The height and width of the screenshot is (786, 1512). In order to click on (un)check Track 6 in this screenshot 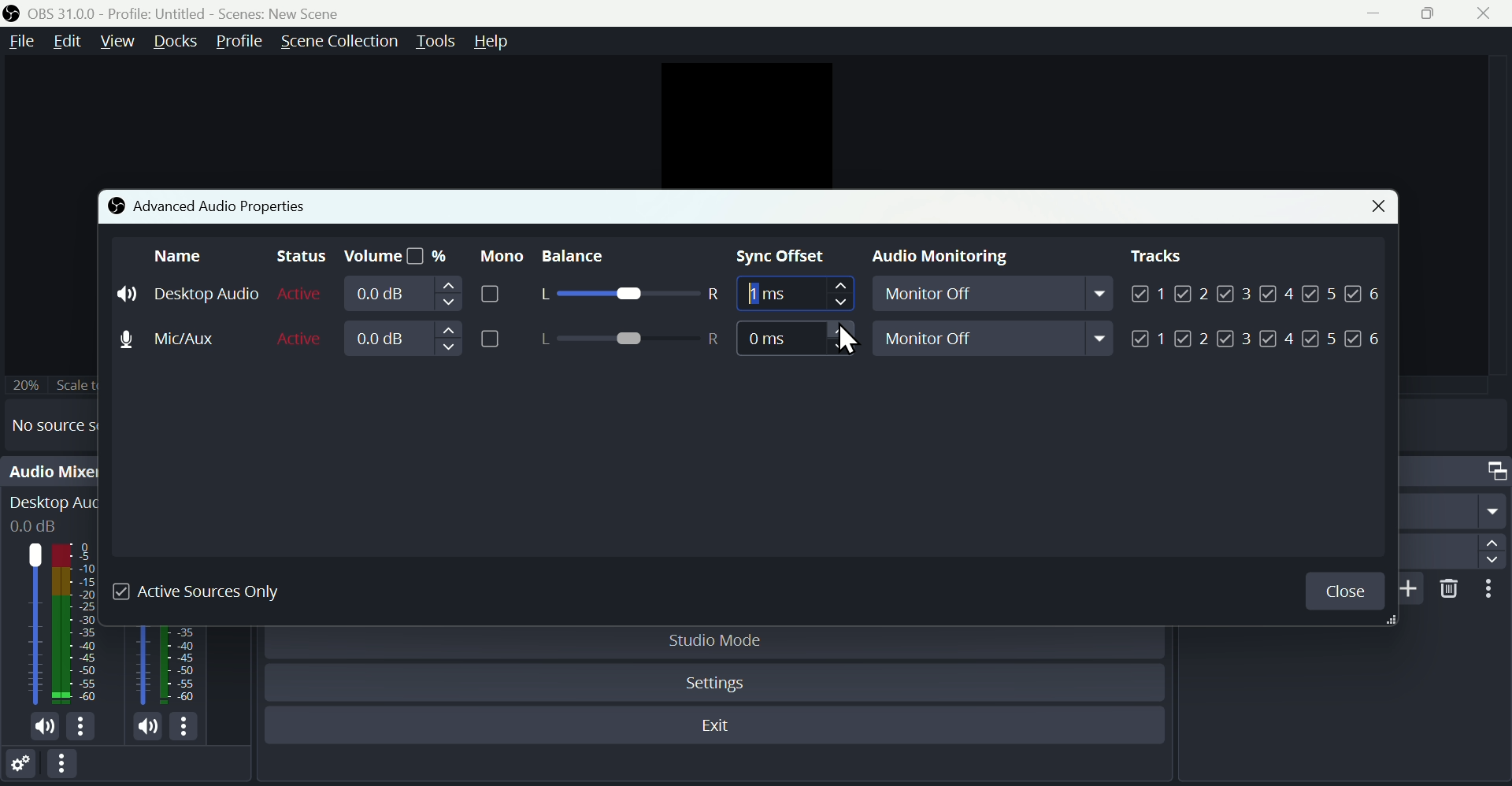, I will do `click(1366, 291)`.